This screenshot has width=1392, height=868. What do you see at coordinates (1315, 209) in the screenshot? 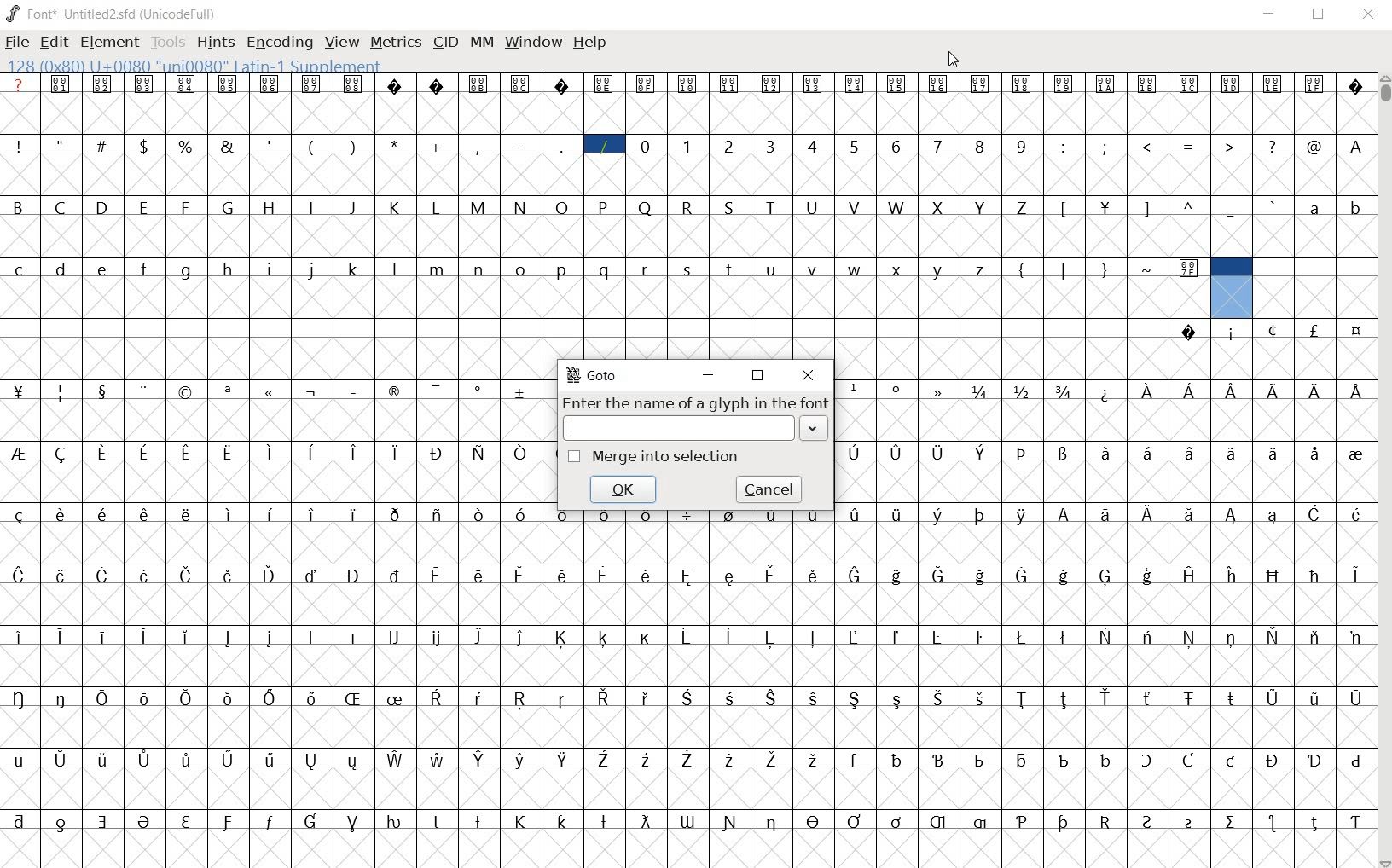
I see `a` at bounding box center [1315, 209].